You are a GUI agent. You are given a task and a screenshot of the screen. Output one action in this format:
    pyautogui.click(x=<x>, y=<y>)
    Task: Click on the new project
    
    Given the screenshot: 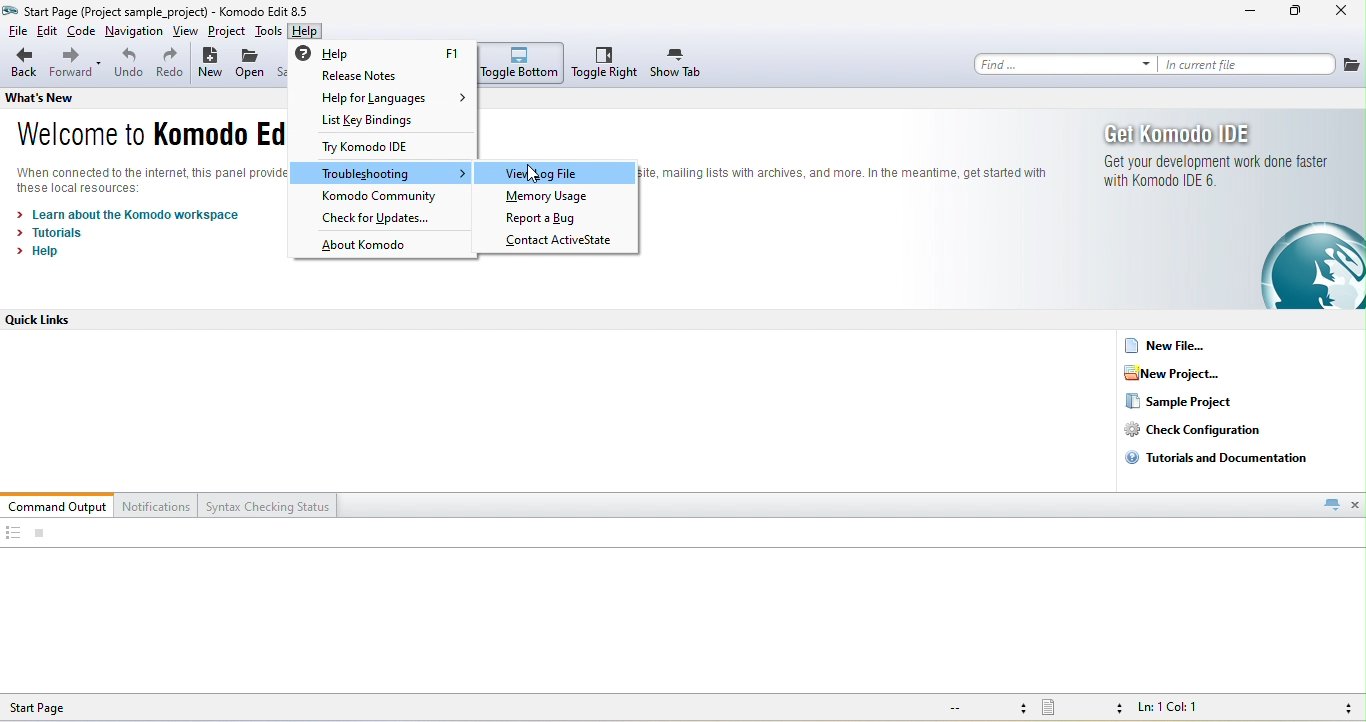 What is the action you would take?
    pyautogui.click(x=1185, y=373)
    